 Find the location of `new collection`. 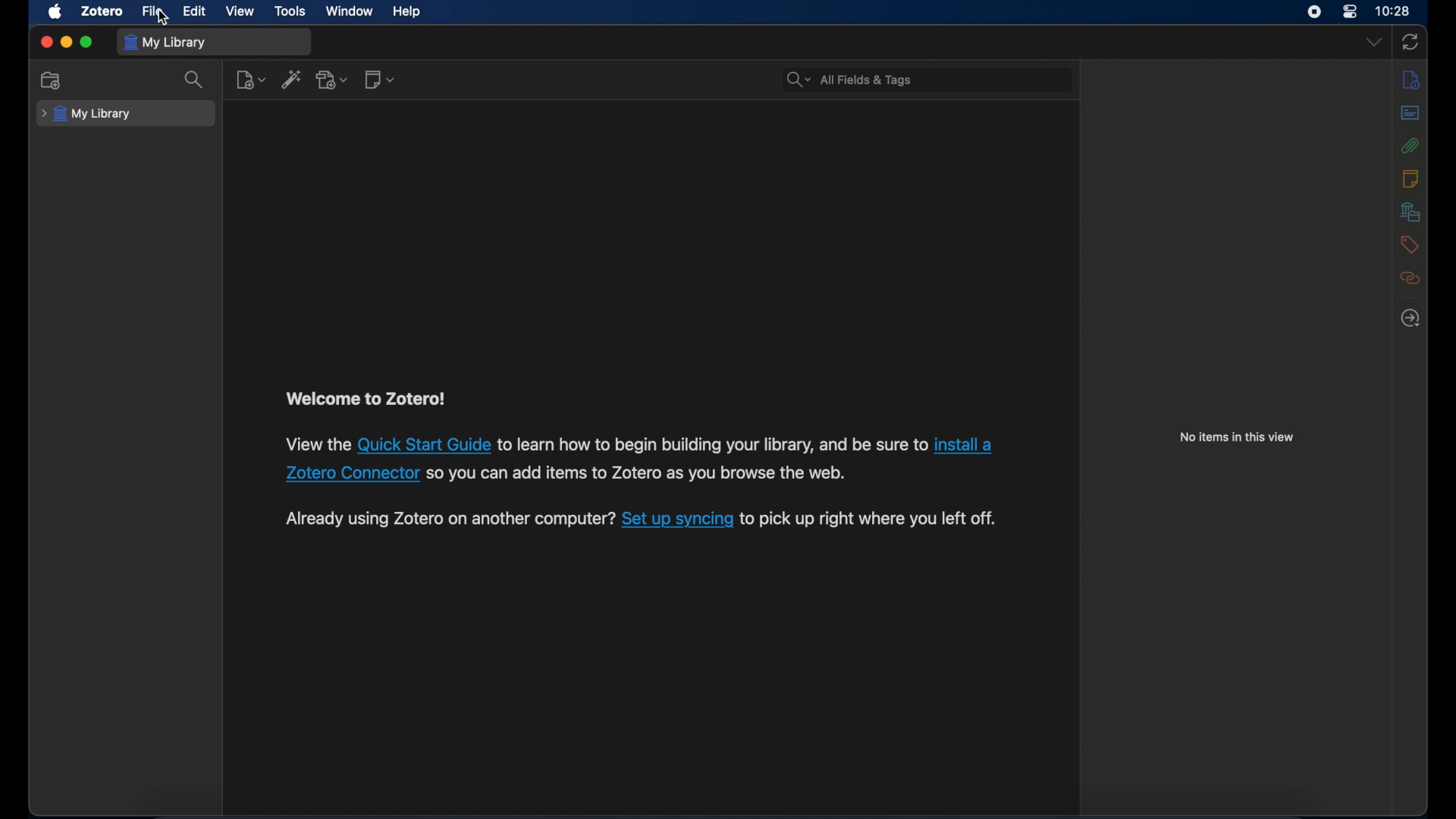

new collection is located at coordinates (54, 80).